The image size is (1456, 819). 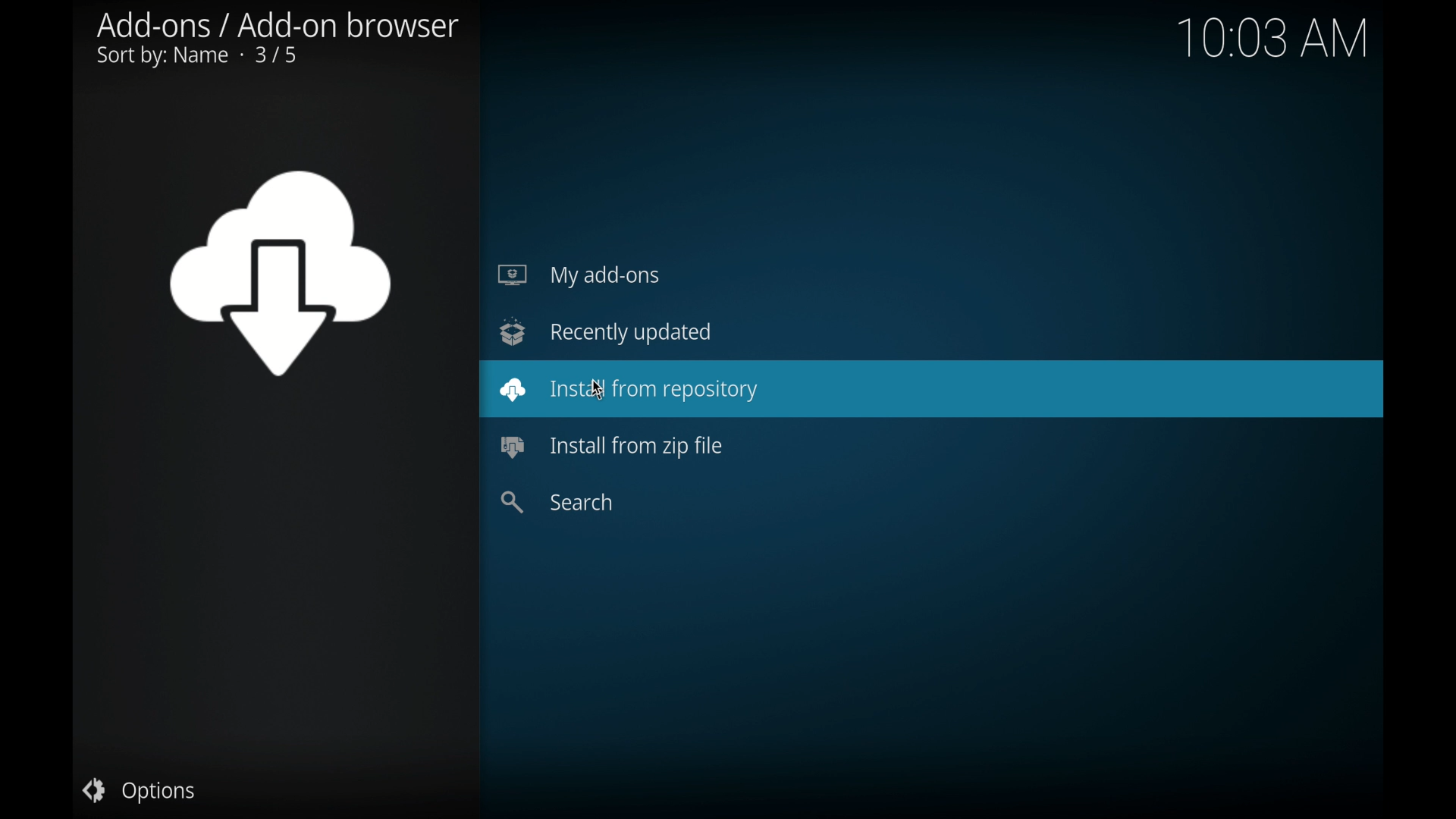 What do you see at coordinates (610, 445) in the screenshot?
I see `install from zip file` at bounding box center [610, 445].